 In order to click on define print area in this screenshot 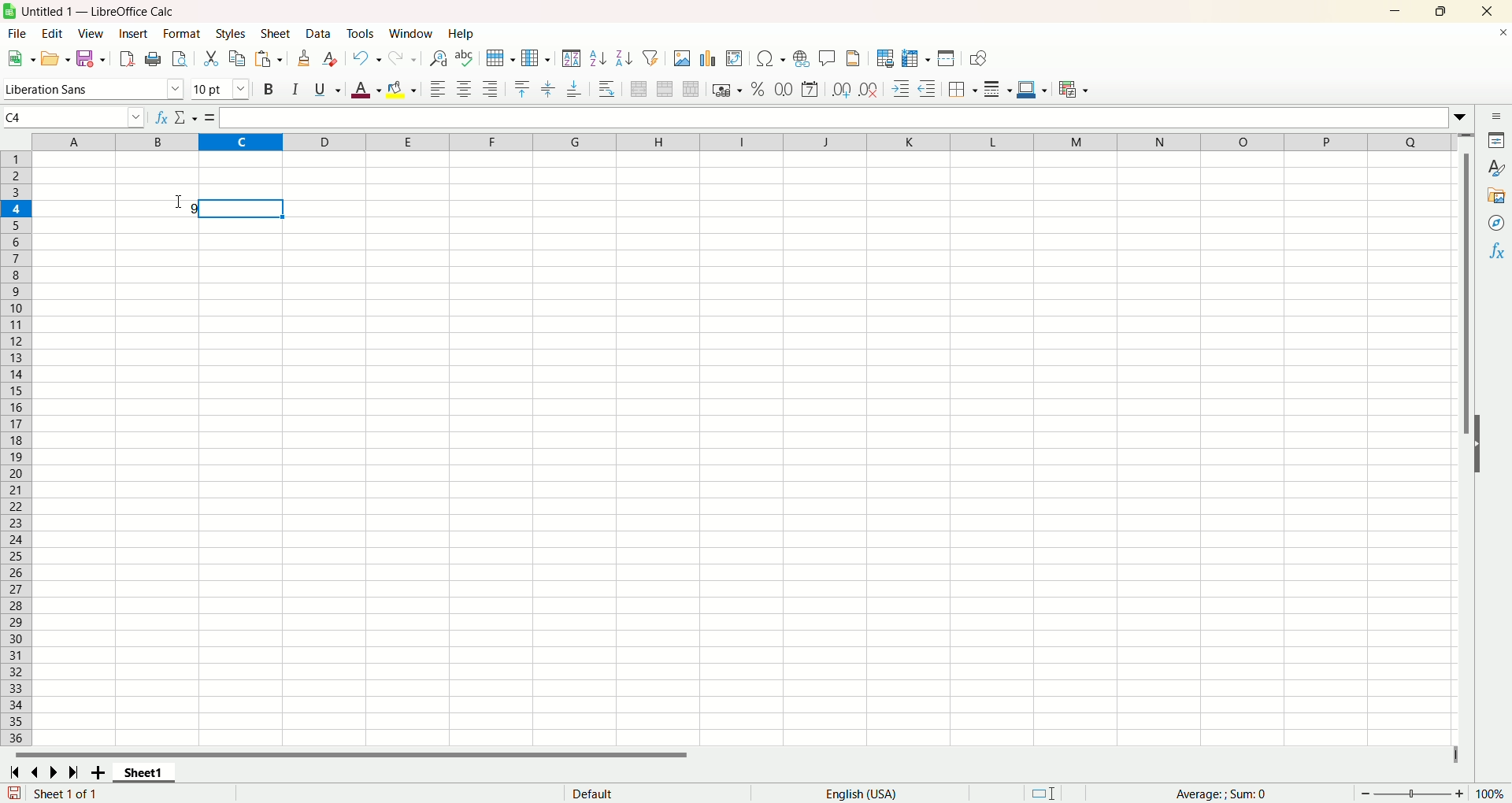, I will do `click(886, 58)`.